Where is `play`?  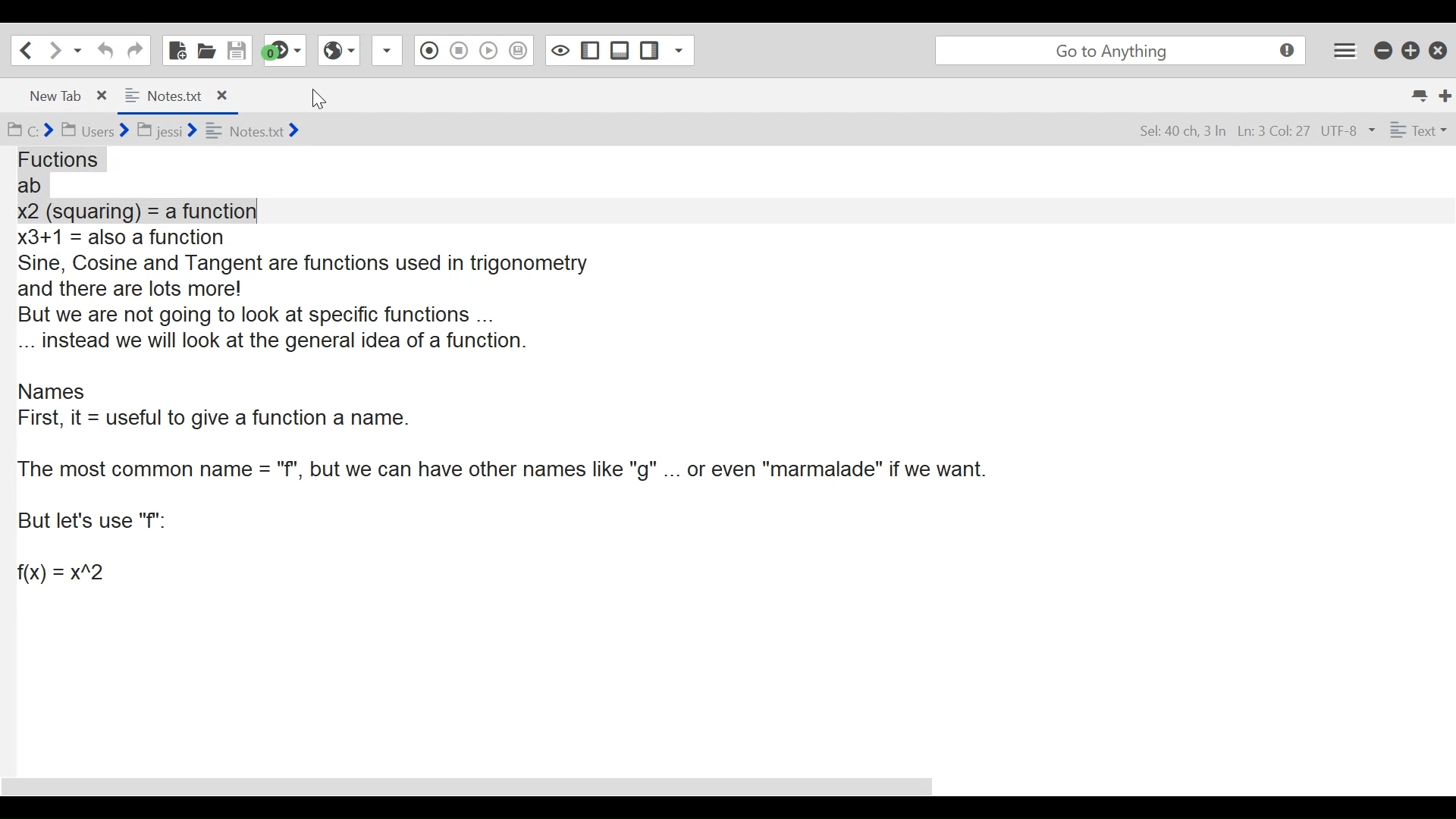
play is located at coordinates (488, 51).